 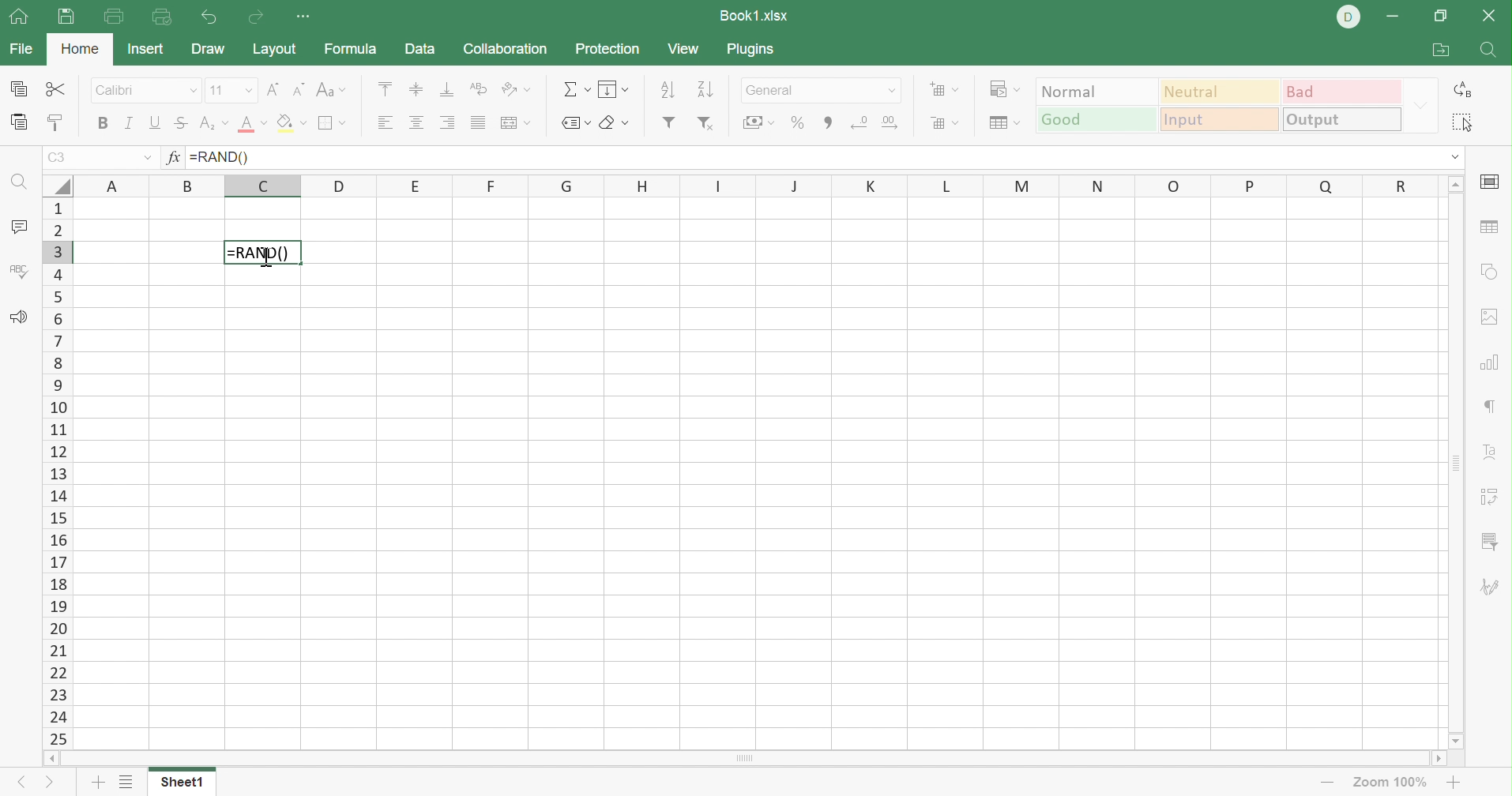 What do you see at coordinates (1488, 51) in the screenshot?
I see `Find` at bounding box center [1488, 51].